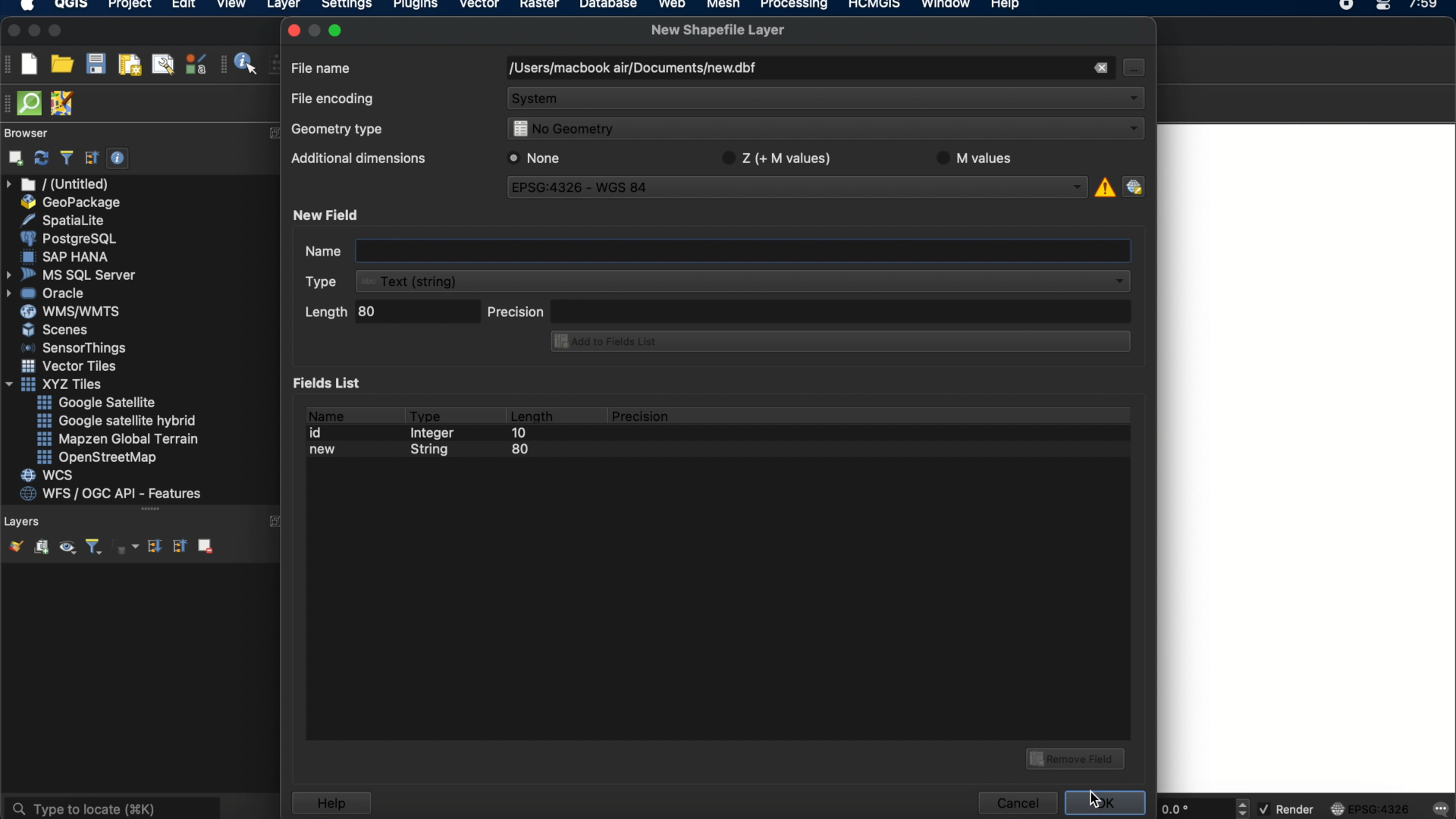 Image resolution: width=1456 pixels, height=819 pixels. I want to click on integer, so click(436, 435).